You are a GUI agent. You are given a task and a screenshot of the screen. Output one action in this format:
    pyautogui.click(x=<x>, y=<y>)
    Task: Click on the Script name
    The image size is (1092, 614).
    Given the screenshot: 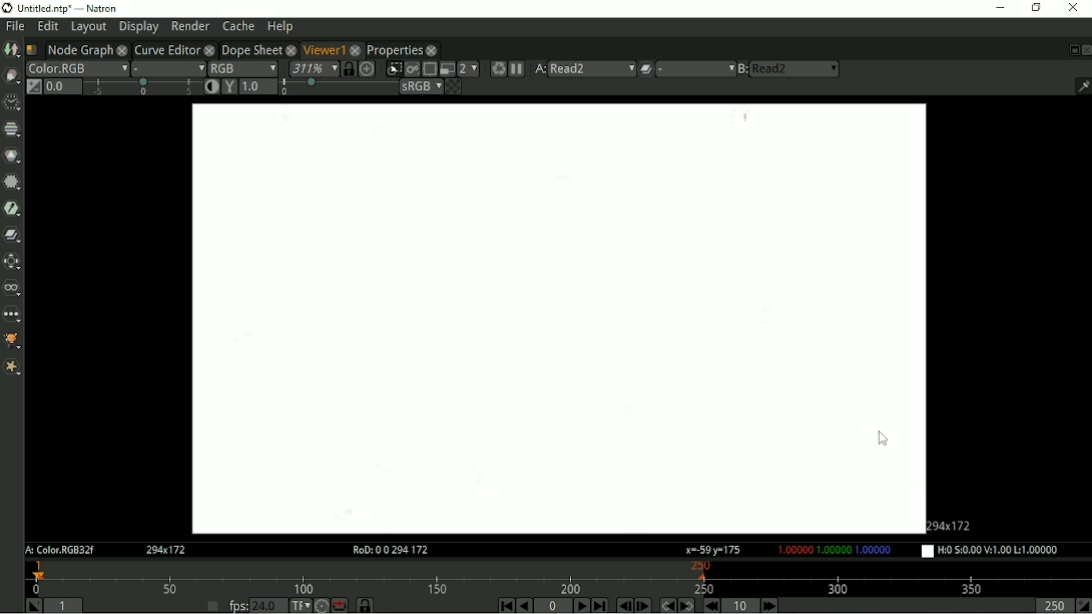 What is the action you would take?
    pyautogui.click(x=31, y=49)
    